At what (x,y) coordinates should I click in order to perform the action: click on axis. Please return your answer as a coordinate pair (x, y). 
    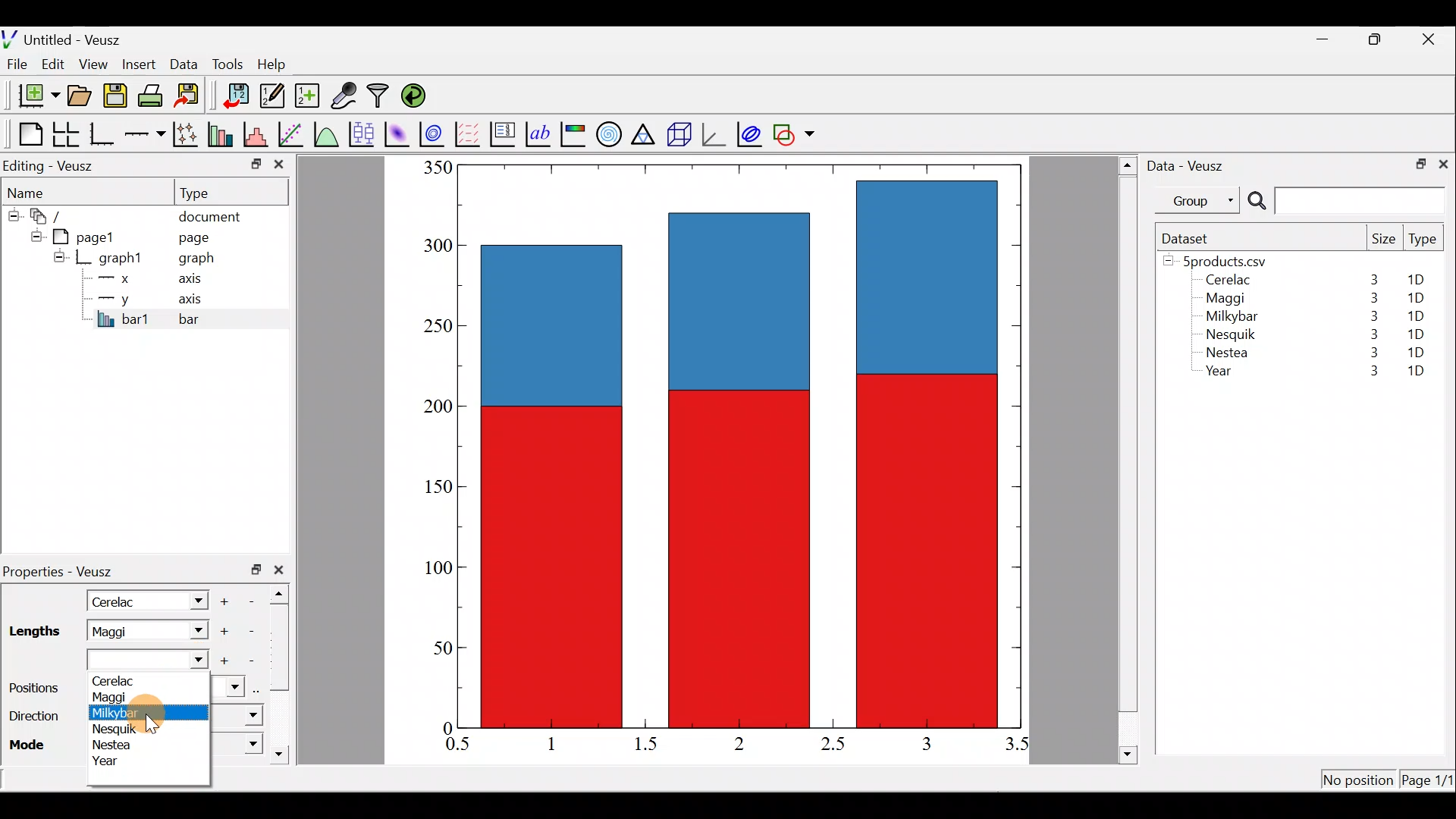
    Looking at the image, I should click on (195, 281).